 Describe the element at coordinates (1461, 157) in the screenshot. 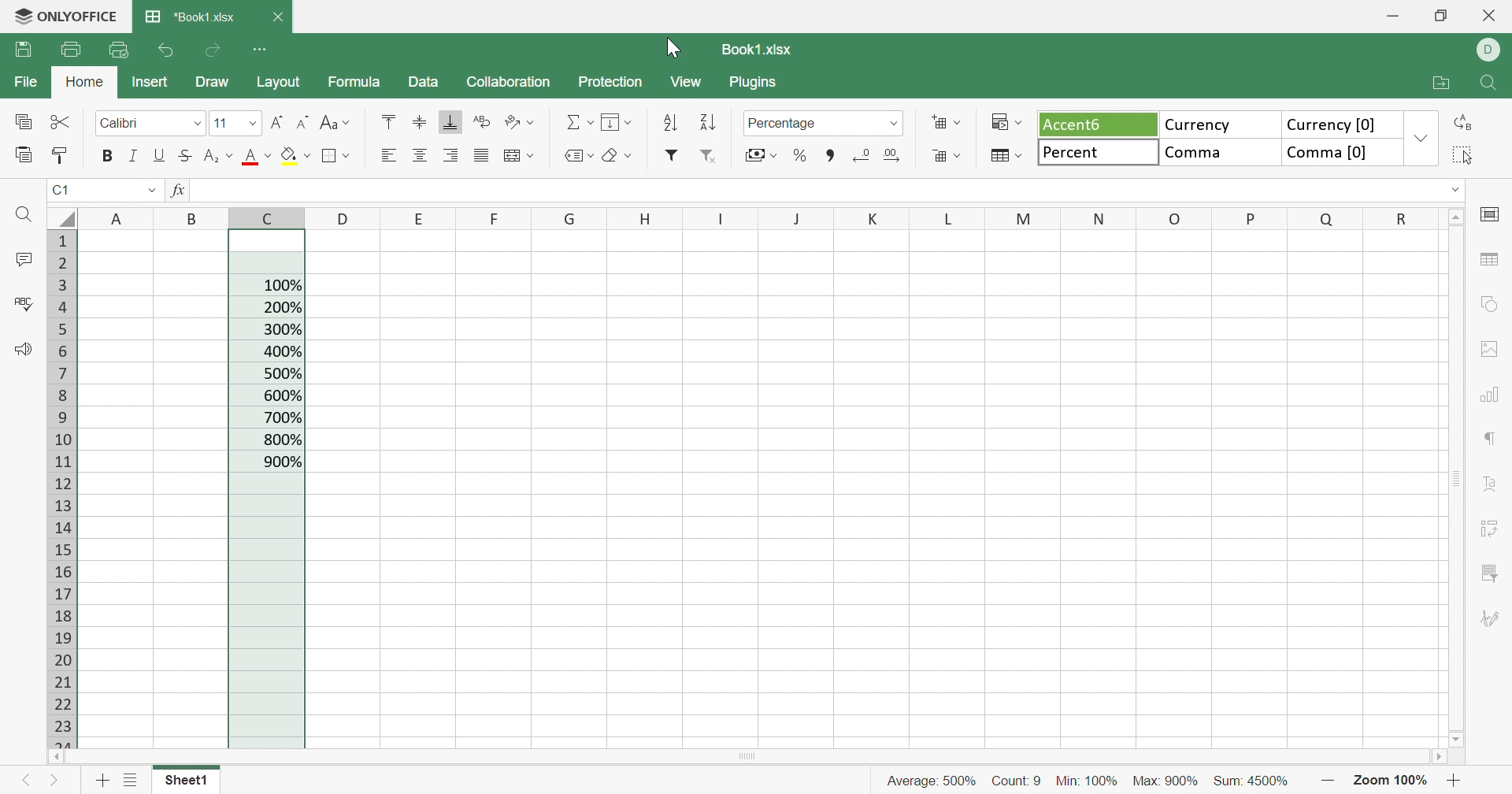

I see `Select all` at that location.